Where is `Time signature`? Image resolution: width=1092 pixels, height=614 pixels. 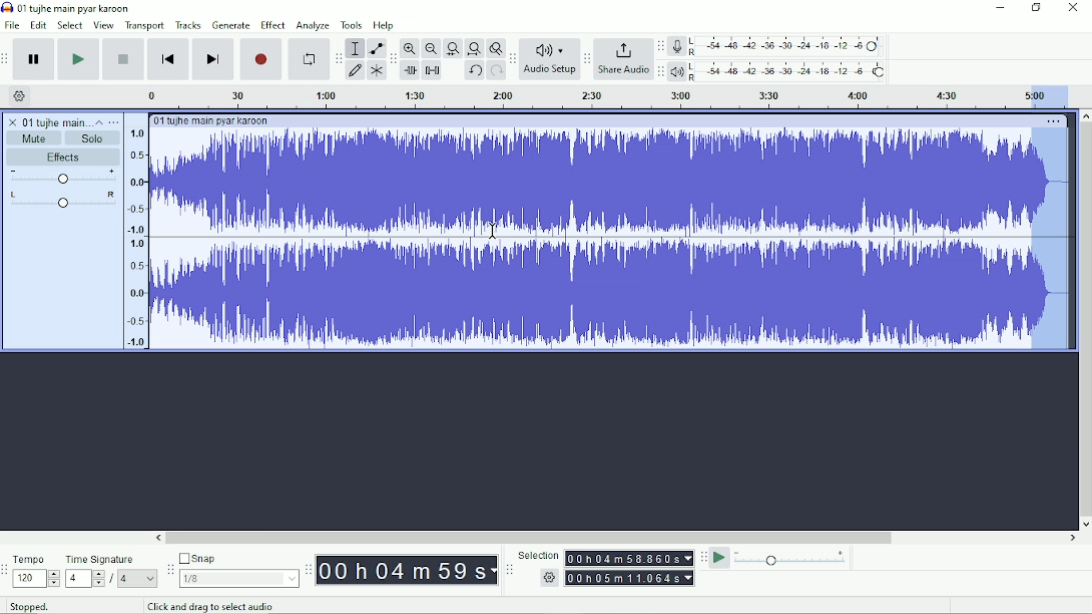 Time signature is located at coordinates (111, 559).